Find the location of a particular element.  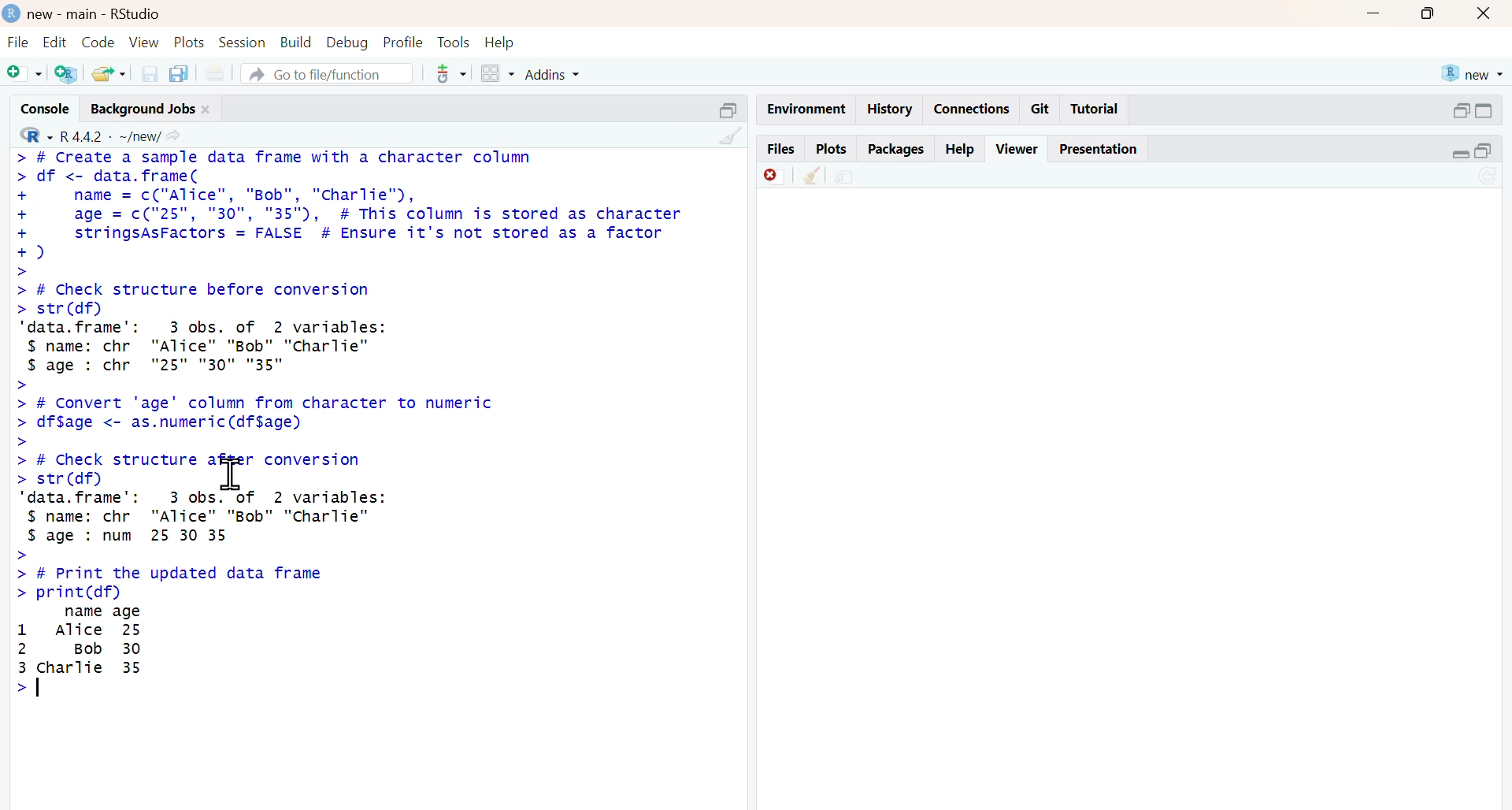

grid is located at coordinates (499, 73).